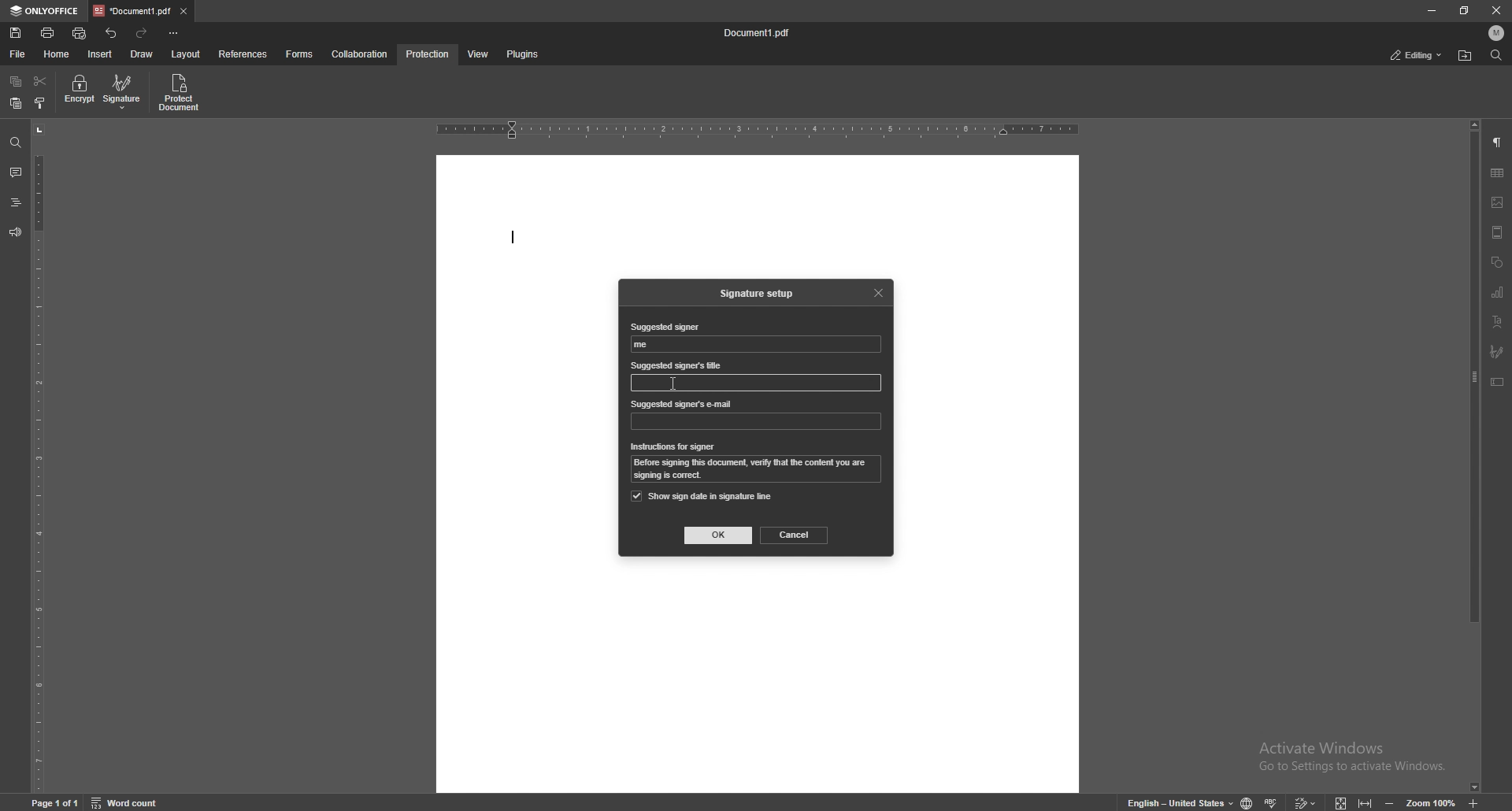 This screenshot has height=811, width=1512. I want to click on input box, so click(757, 382).